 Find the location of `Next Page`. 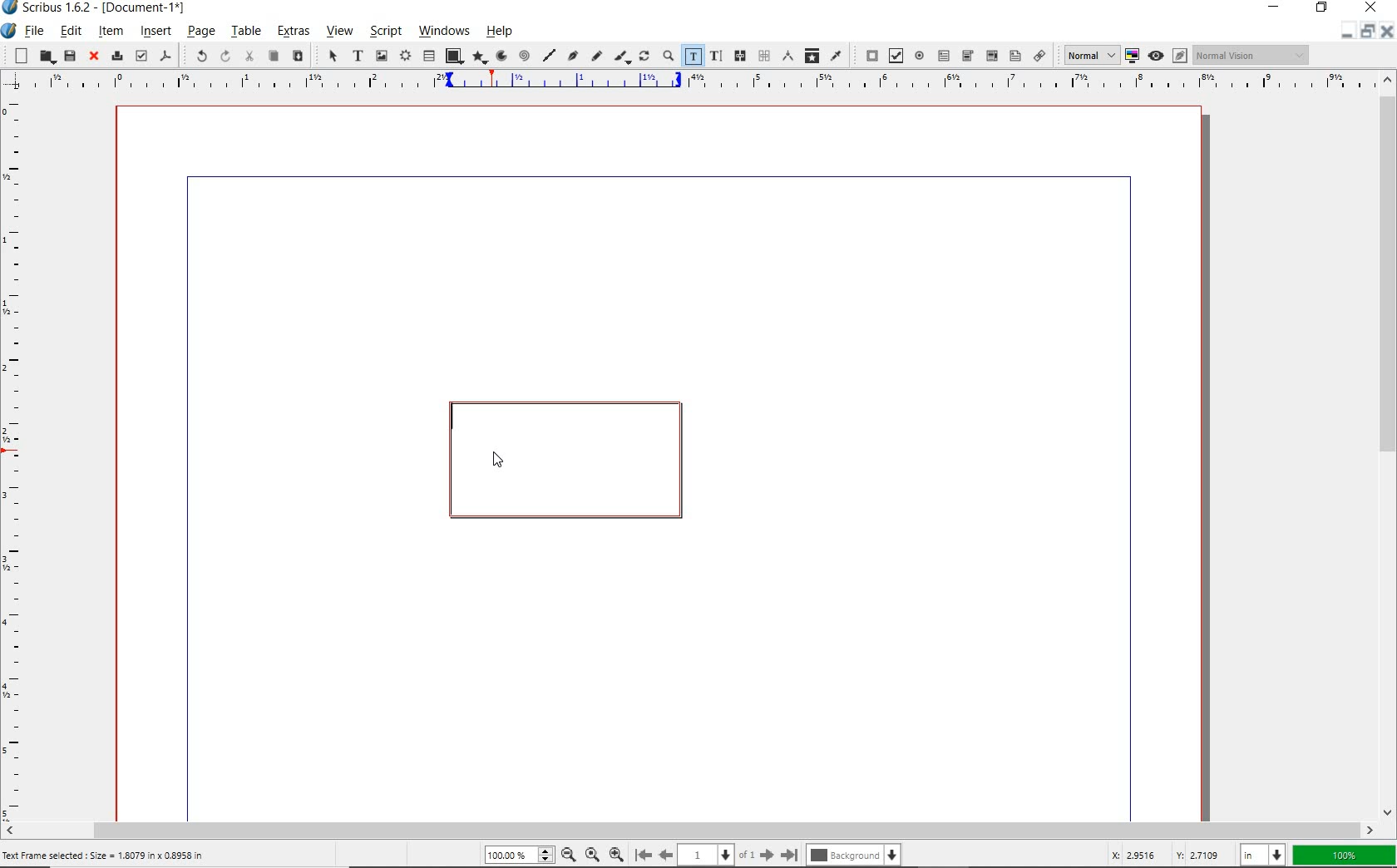

Next Page is located at coordinates (768, 855).